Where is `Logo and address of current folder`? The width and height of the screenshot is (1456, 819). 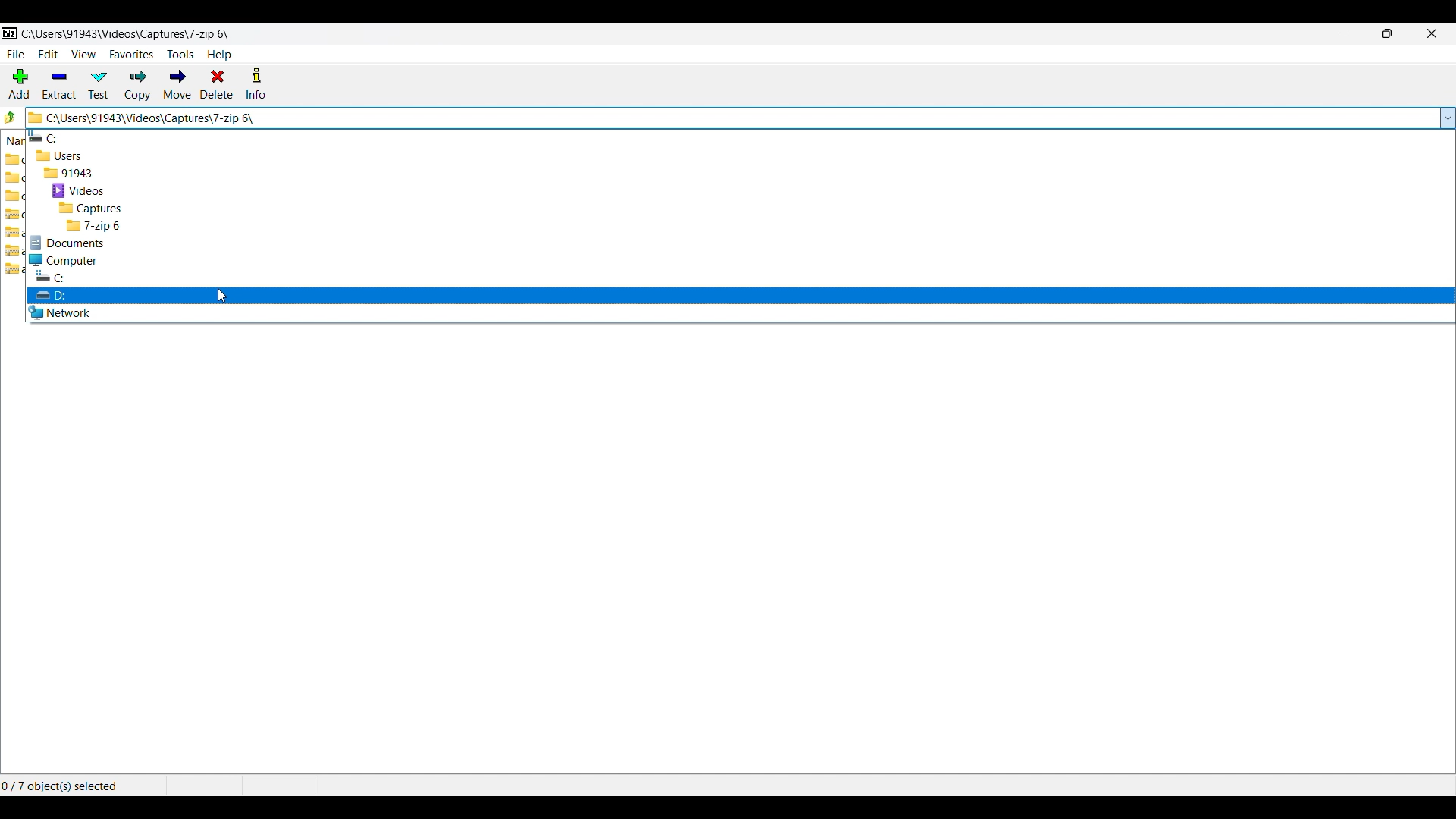 Logo and address of current folder is located at coordinates (731, 118).